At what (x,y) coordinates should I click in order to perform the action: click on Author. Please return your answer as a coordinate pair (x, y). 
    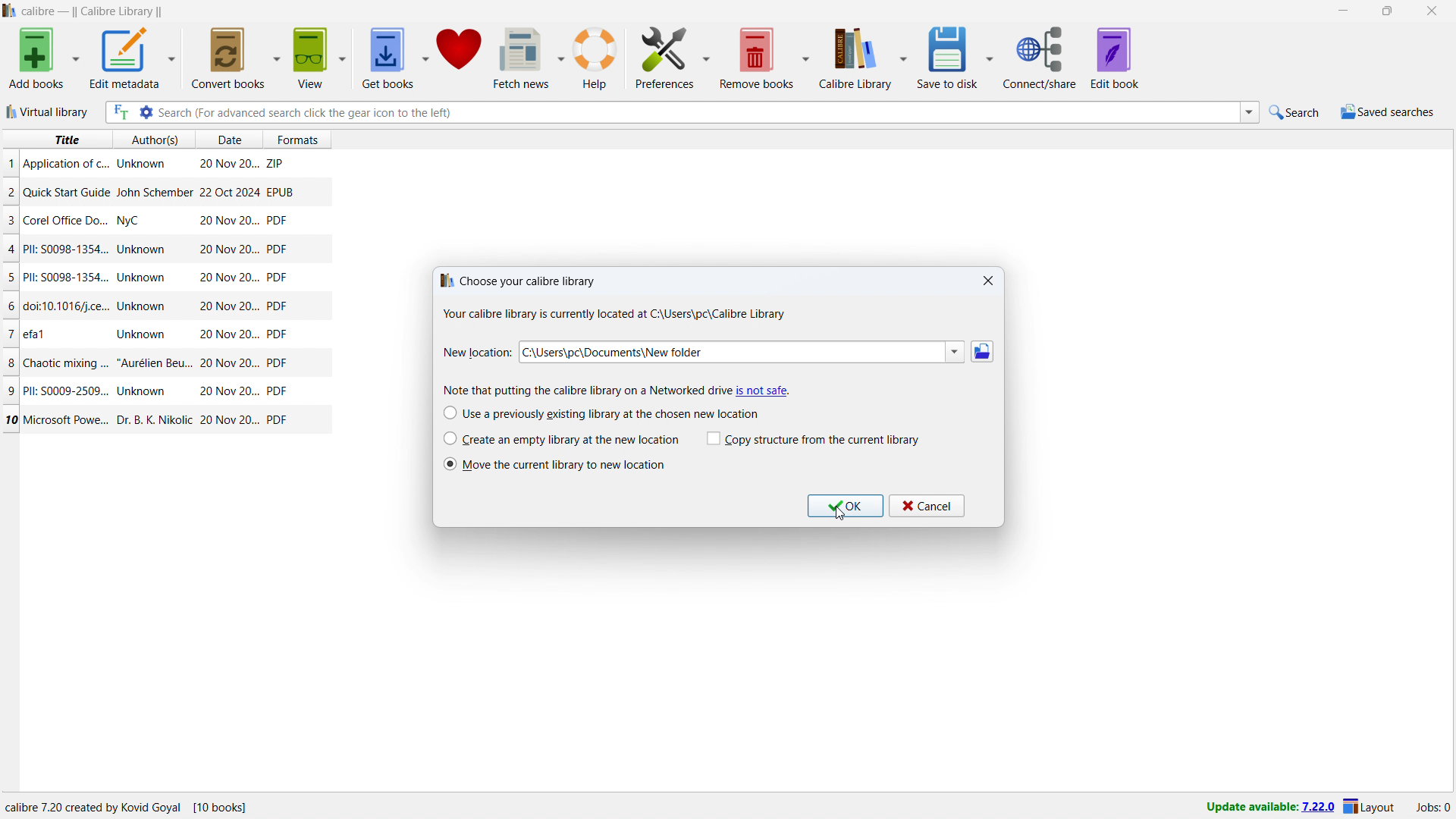
    Looking at the image, I should click on (153, 192).